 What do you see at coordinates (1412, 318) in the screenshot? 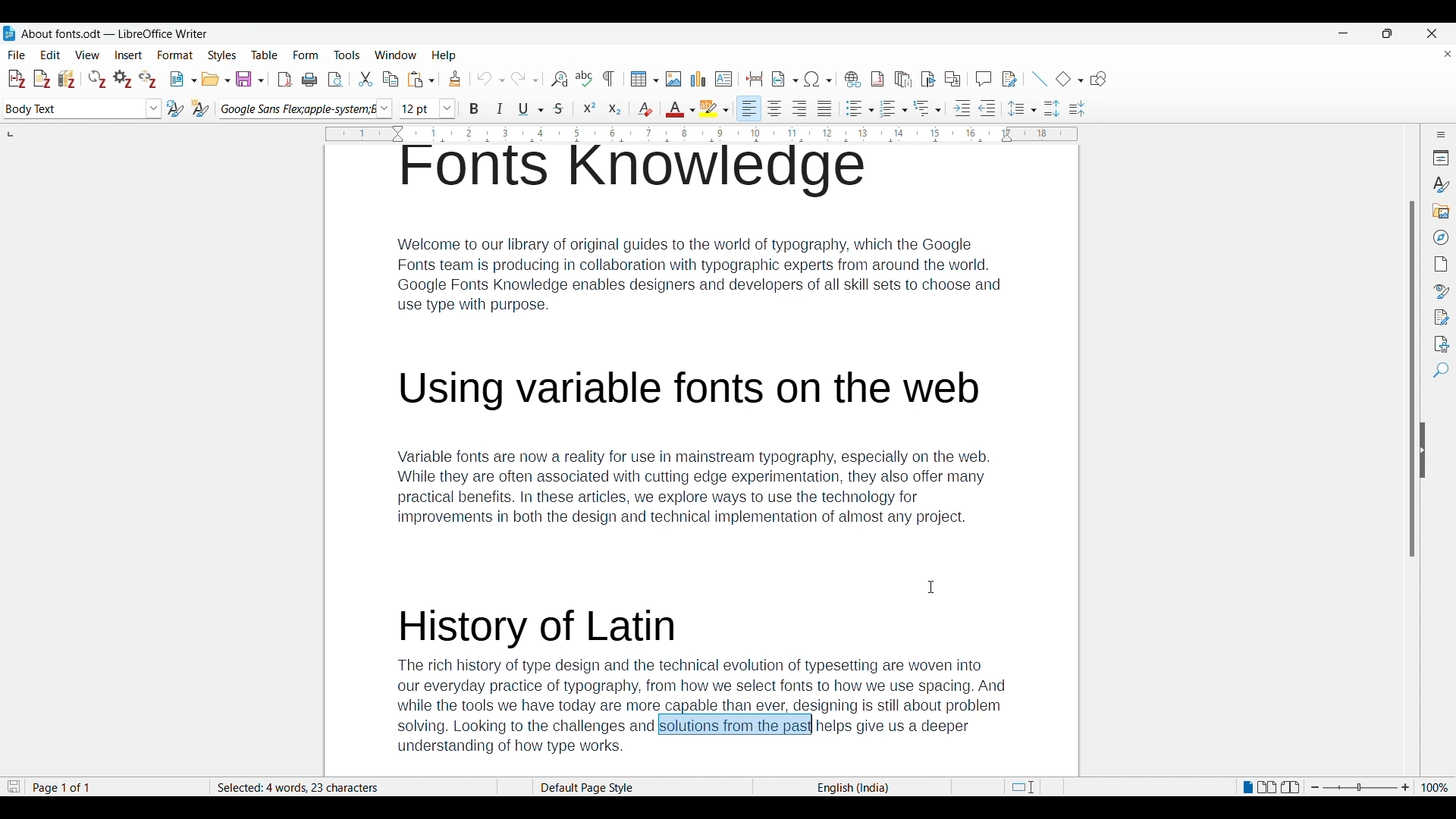
I see `Vertical slide bar` at bounding box center [1412, 318].